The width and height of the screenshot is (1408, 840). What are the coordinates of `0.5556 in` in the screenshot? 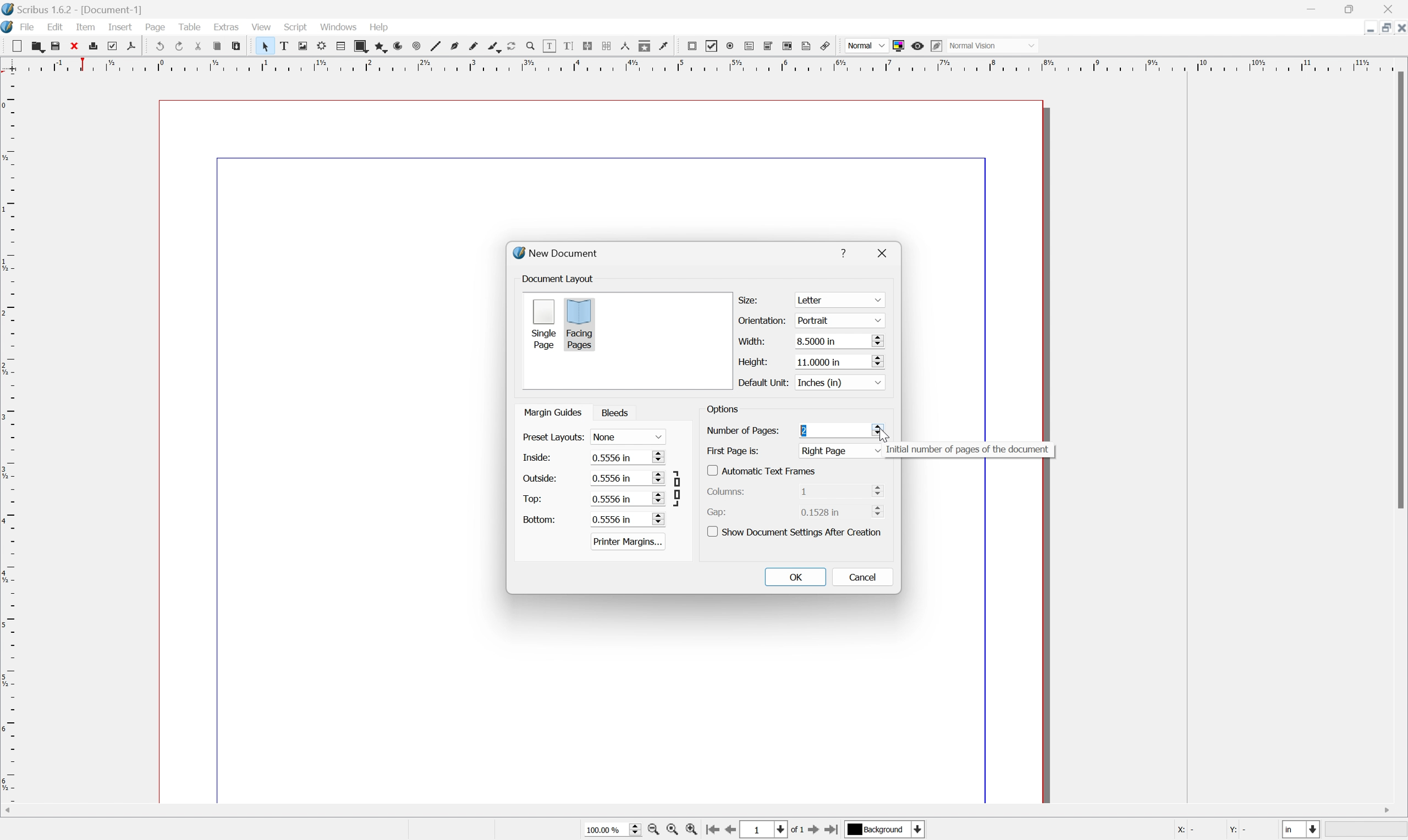 It's located at (627, 498).